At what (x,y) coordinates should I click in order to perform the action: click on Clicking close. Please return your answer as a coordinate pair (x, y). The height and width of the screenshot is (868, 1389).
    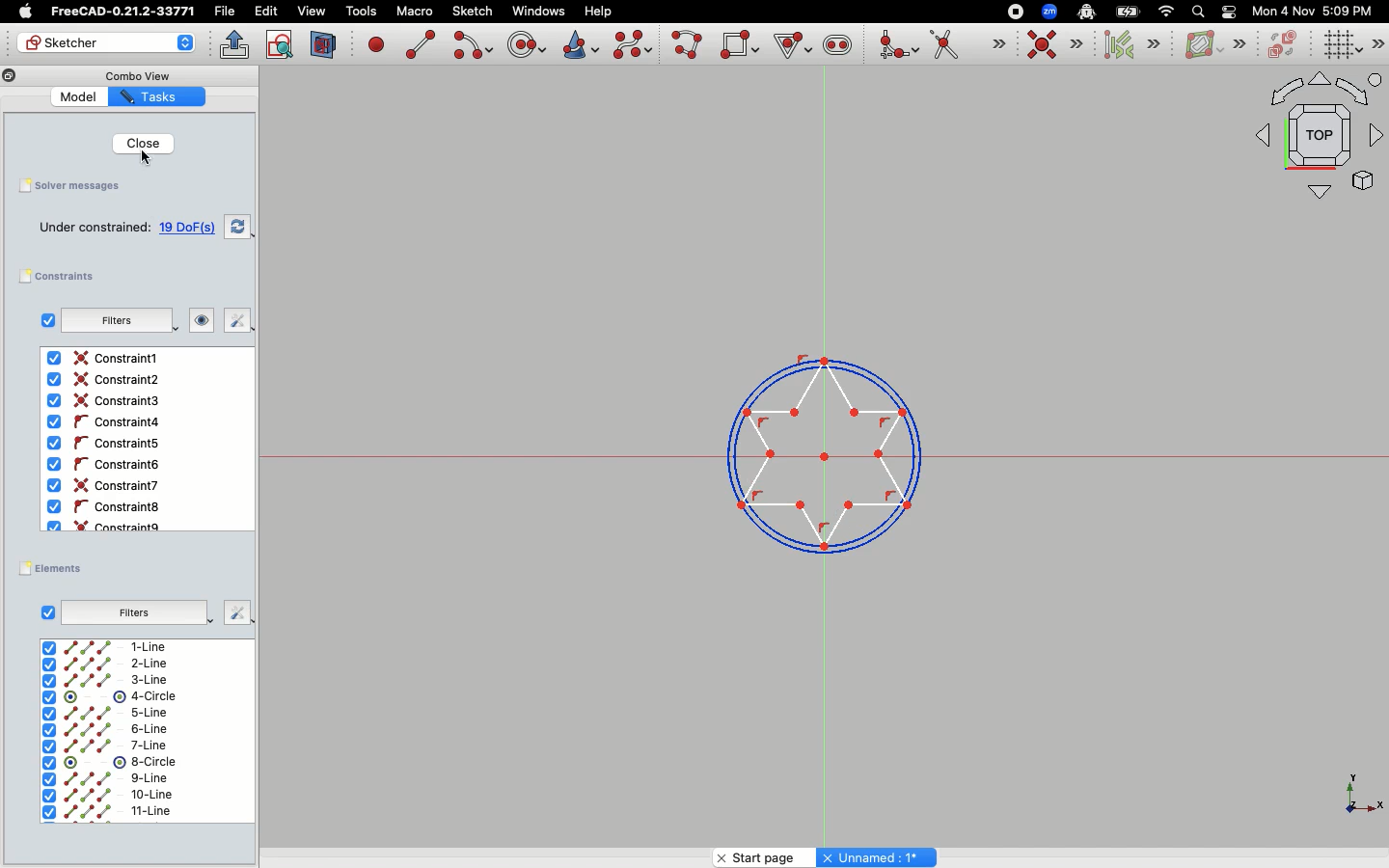
    Looking at the image, I should click on (141, 145).